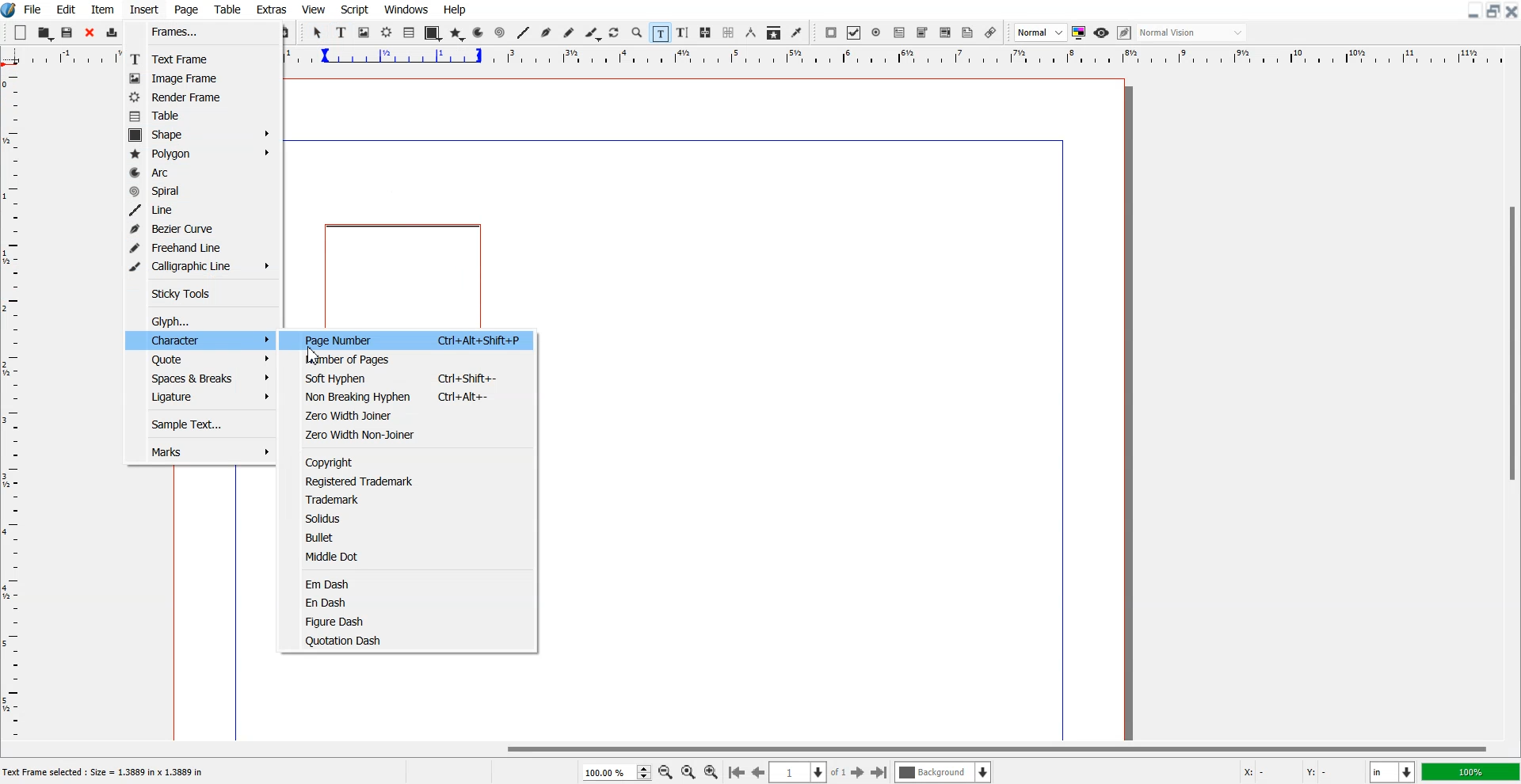 Image resolution: width=1521 pixels, height=784 pixels. Describe the element at coordinates (759, 771) in the screenshot. I see `Go to previous Page` at that location.